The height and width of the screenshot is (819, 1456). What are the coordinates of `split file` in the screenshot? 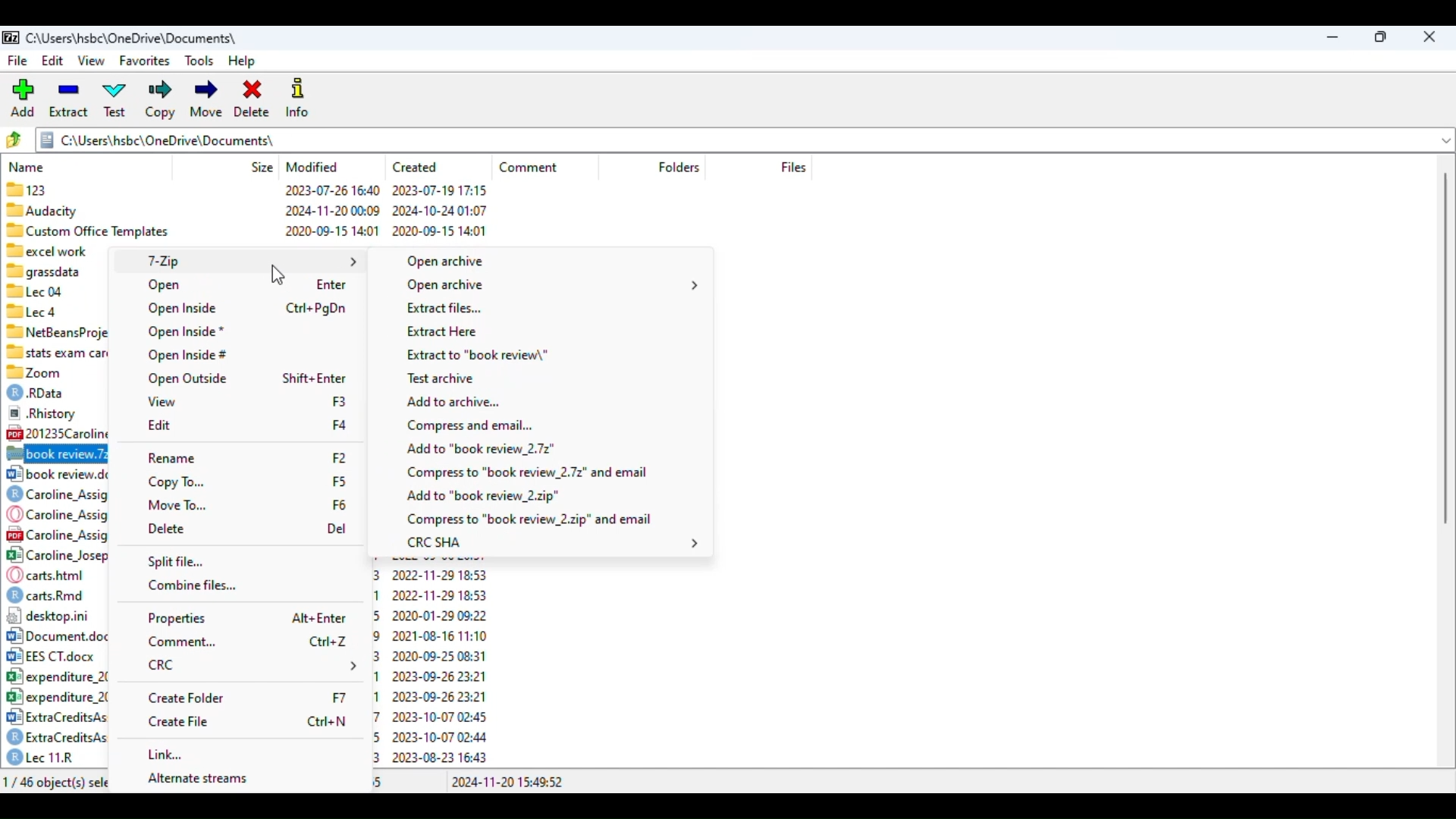 It's located at (176, 561).